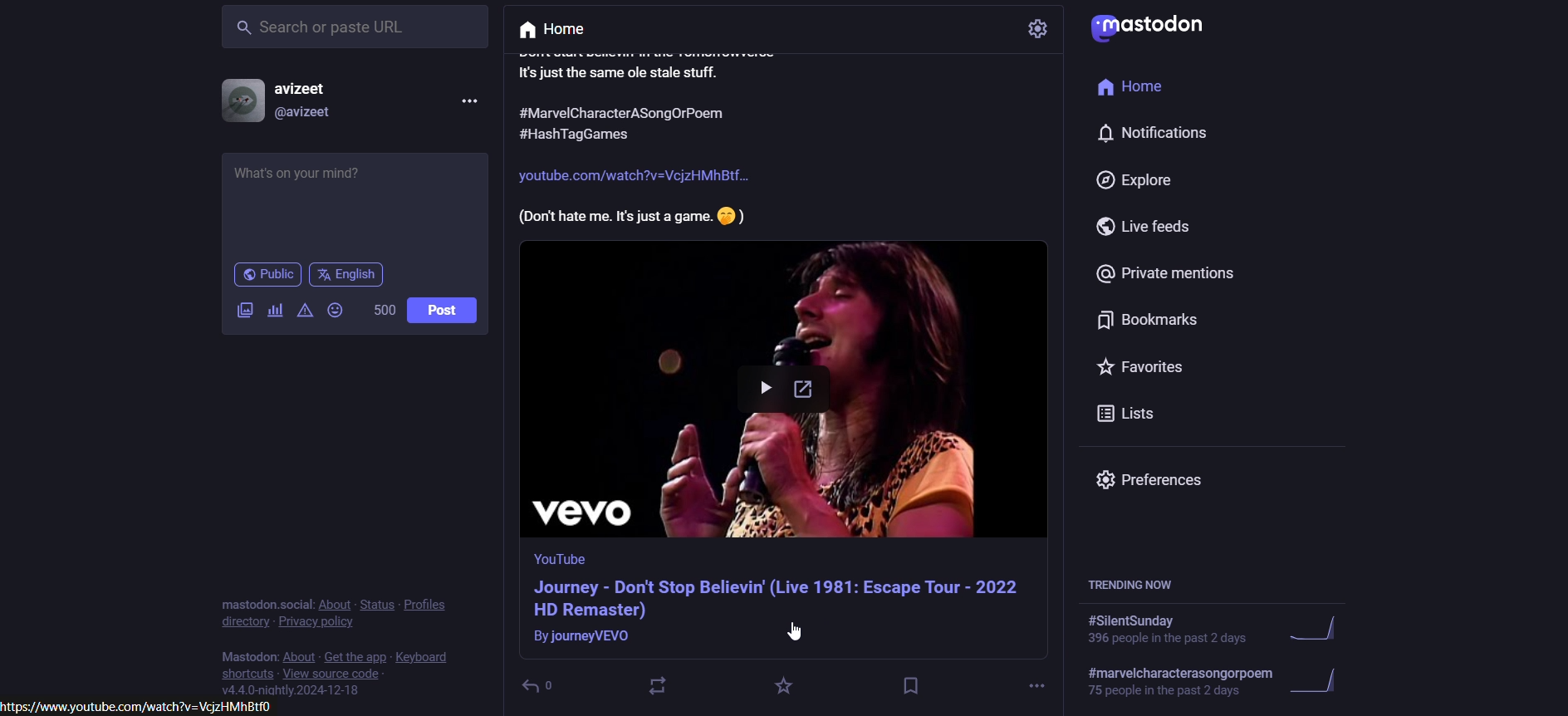  Describe the element at coordinates (556, 558) in the screenshot. I see `` at that location.